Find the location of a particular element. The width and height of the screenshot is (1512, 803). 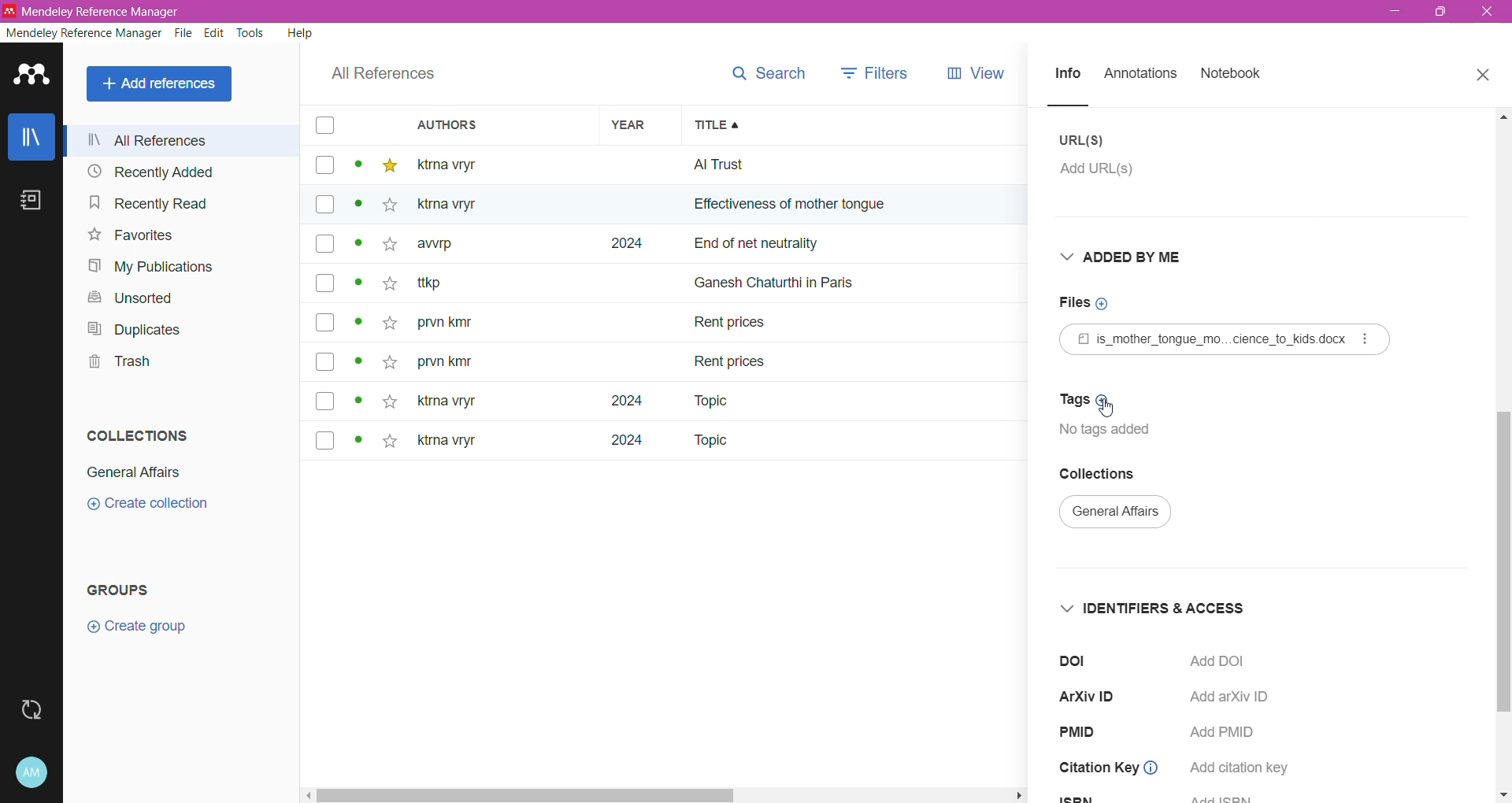

Mendeley Reference Manager is located at coordinates (83, 33).